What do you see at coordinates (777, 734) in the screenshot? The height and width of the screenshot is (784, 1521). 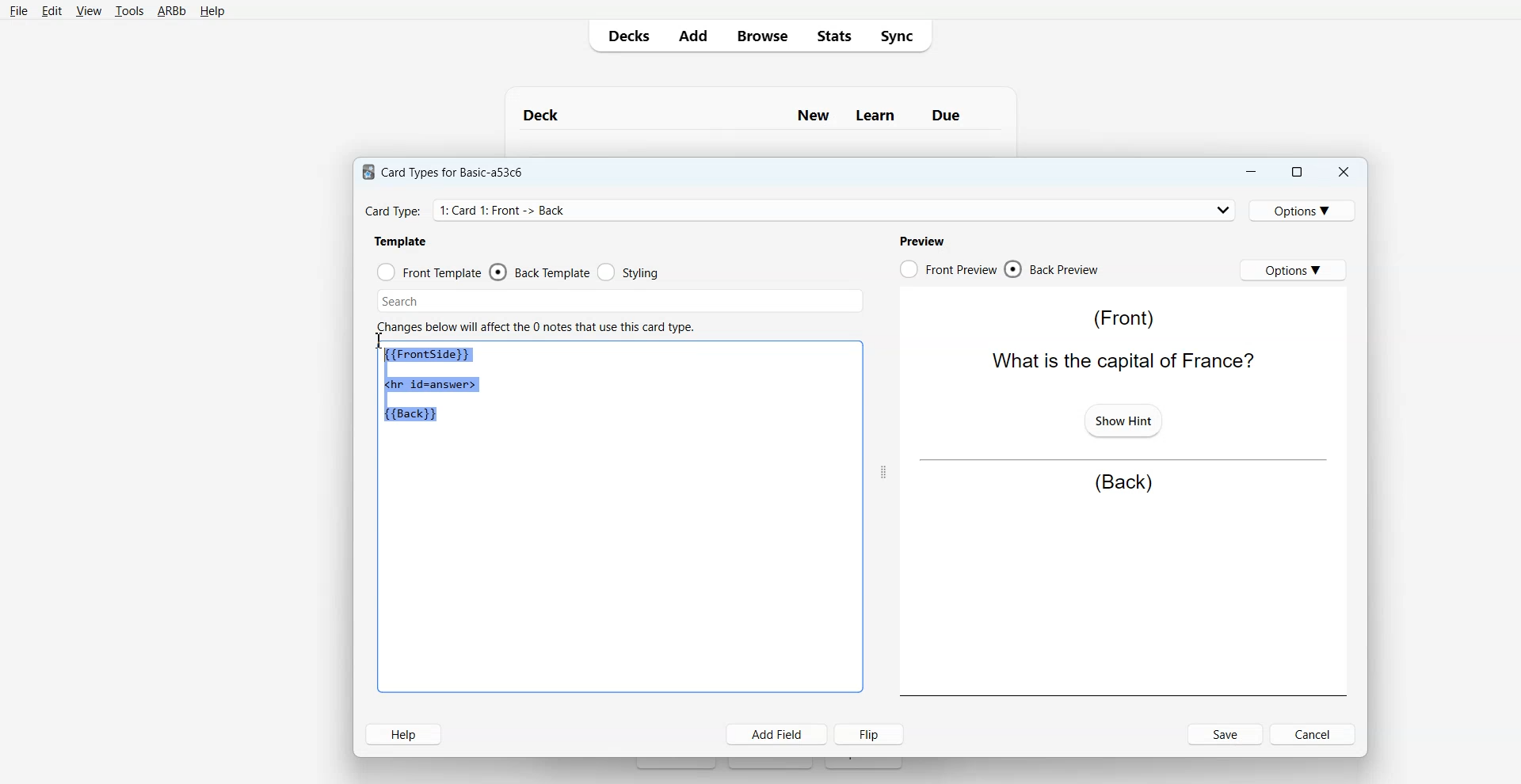 I see `Add Field` at bounding box center [777, 734].